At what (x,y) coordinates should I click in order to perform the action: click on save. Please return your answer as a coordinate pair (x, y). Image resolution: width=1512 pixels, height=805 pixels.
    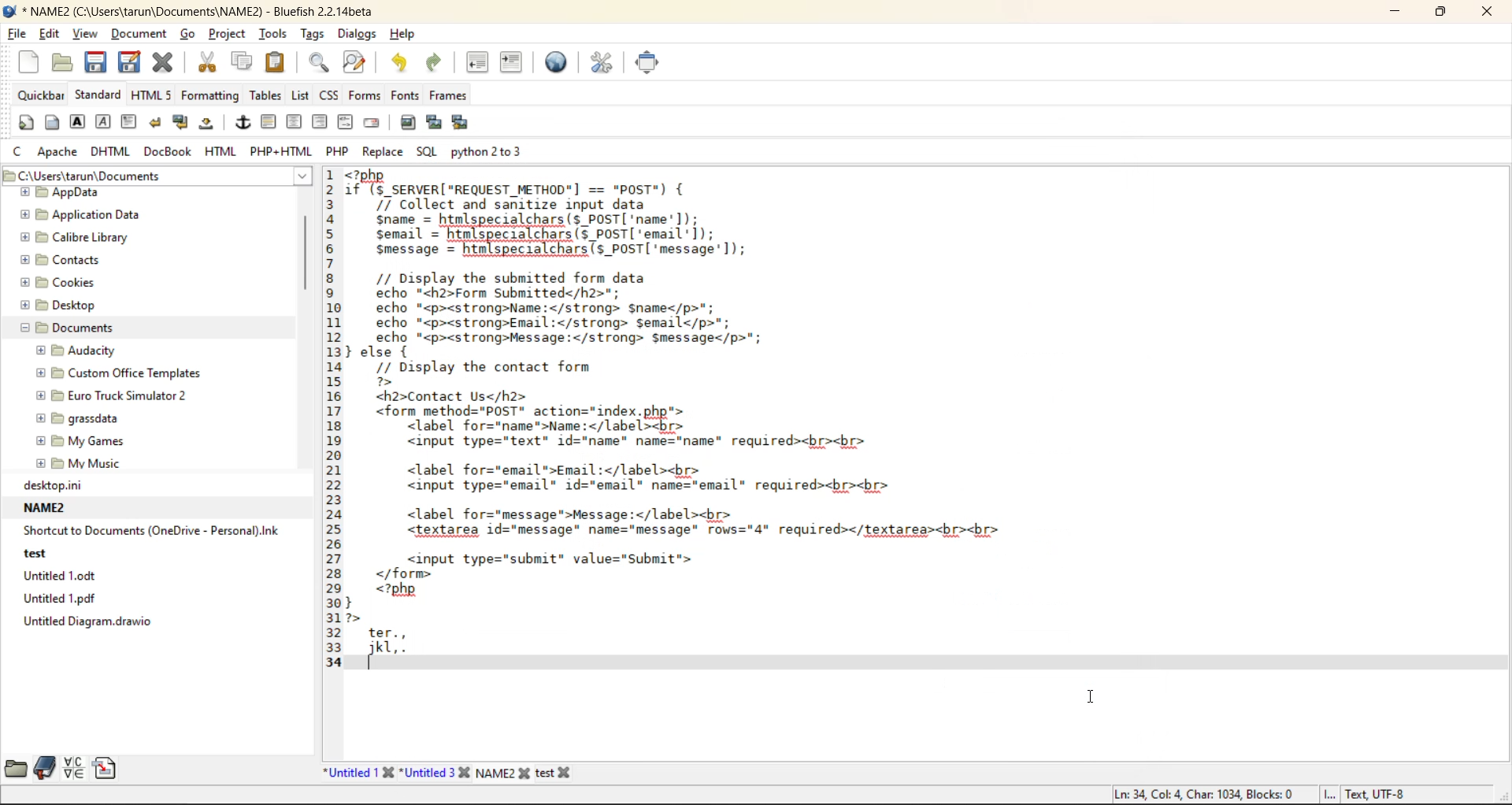
    Looking at the image, I should click on (97, 63).